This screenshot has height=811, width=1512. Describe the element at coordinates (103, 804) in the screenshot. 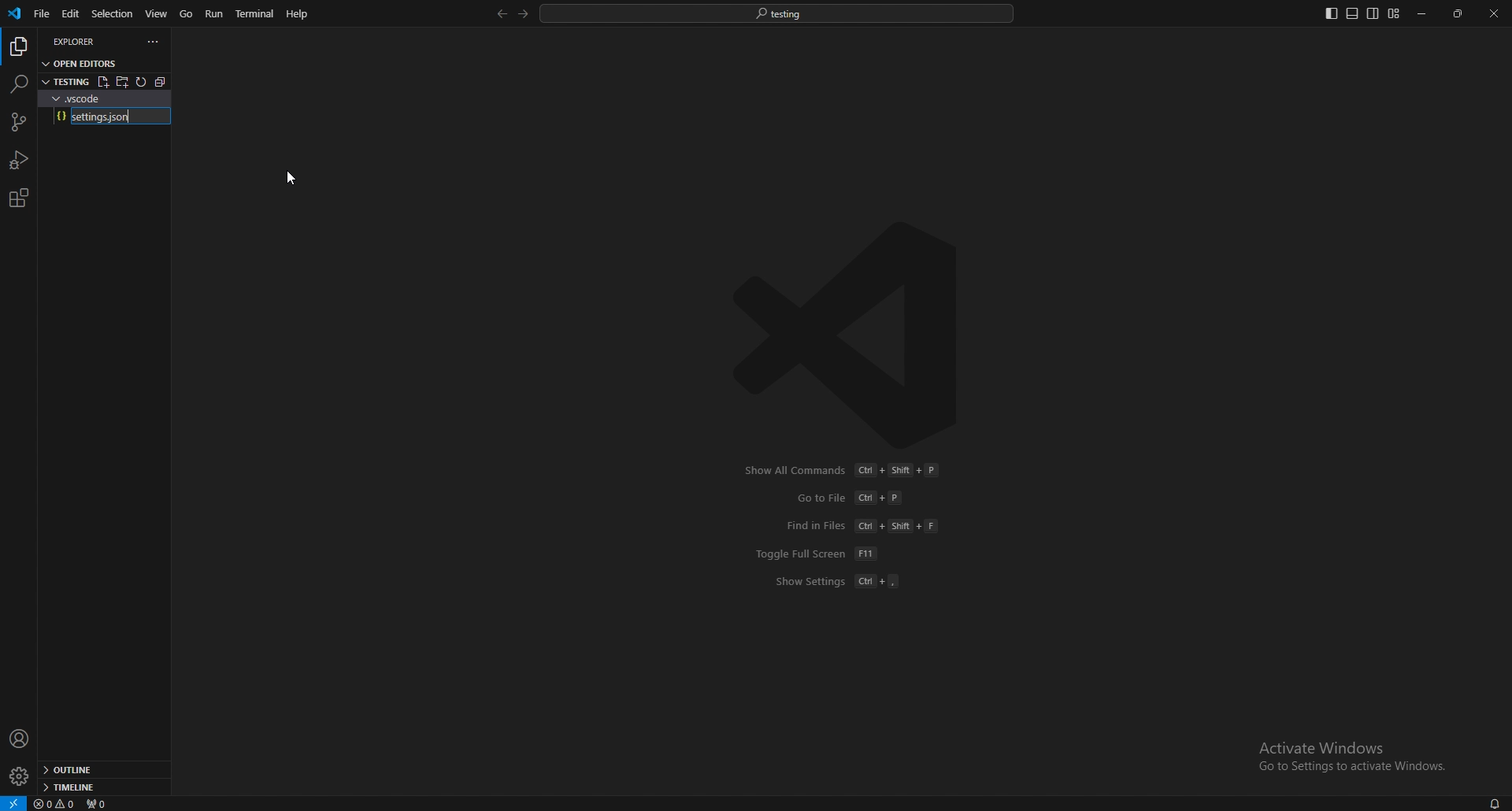

I see `ports forwarded` at that location.